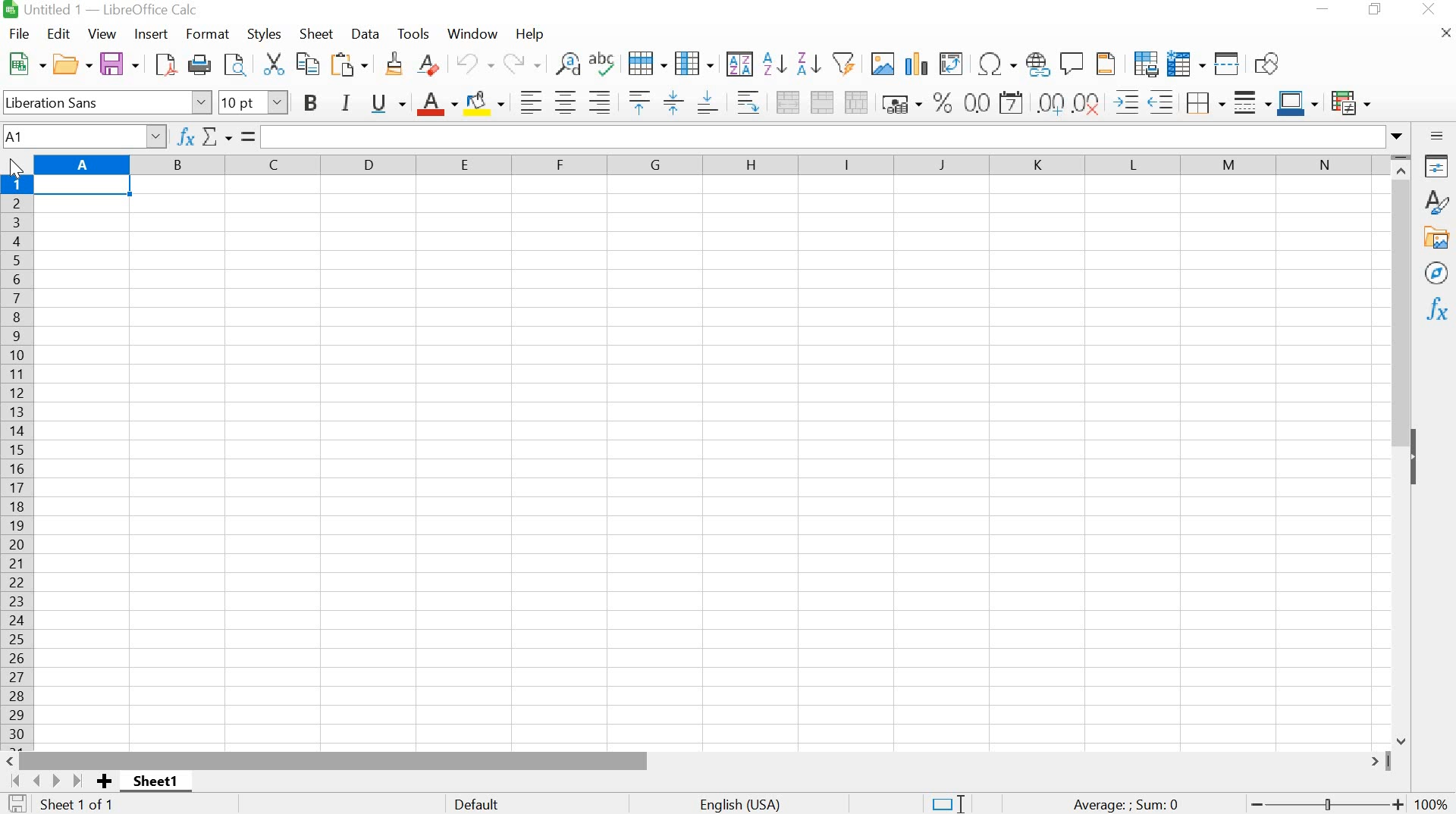  What do you see at coordinates (418, 33) in the screenshot?
I see `TOOLS` at bounding box center [418, 33].